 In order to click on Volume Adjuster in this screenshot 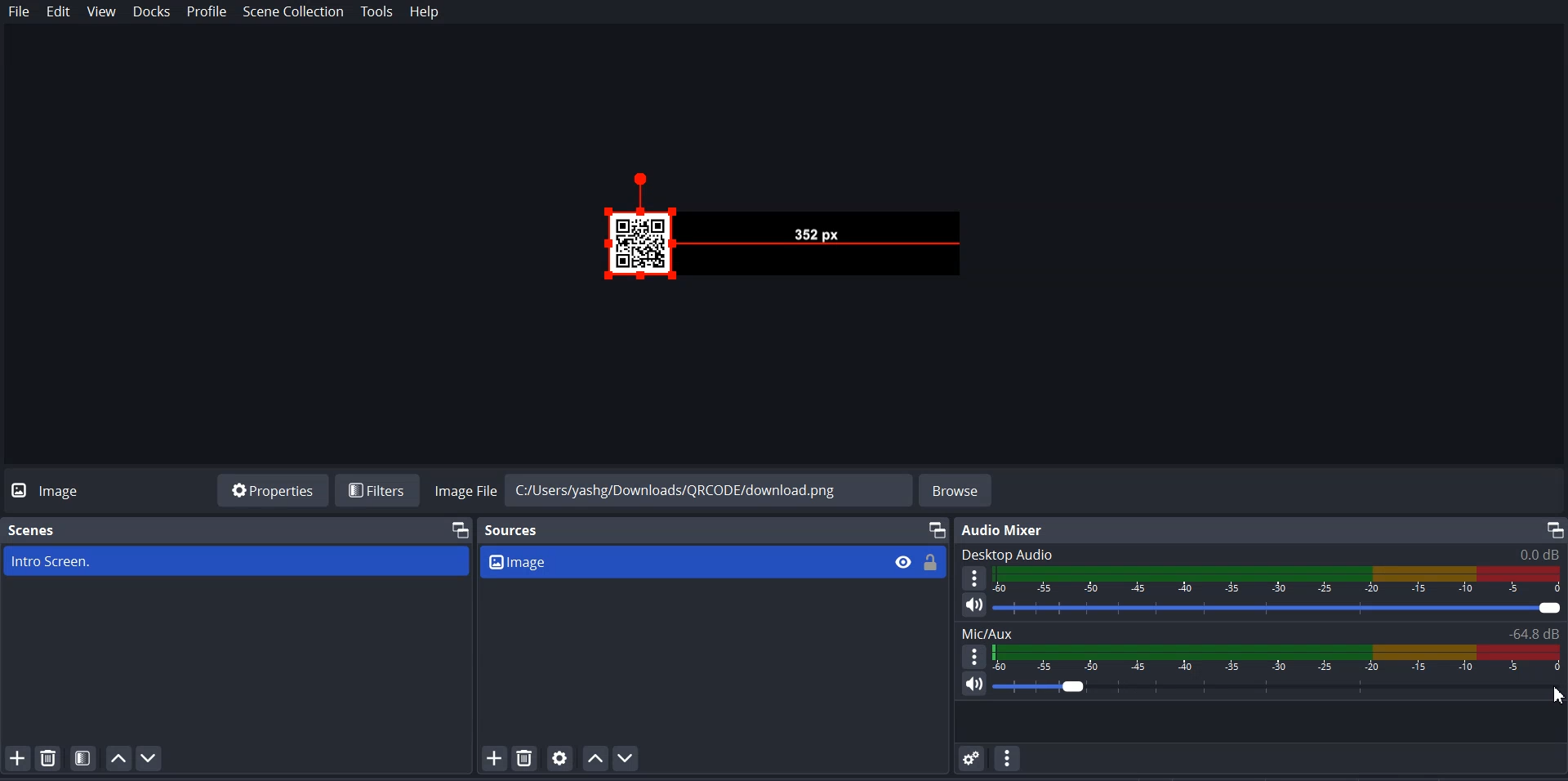, I will do `click(1278, 685)`.